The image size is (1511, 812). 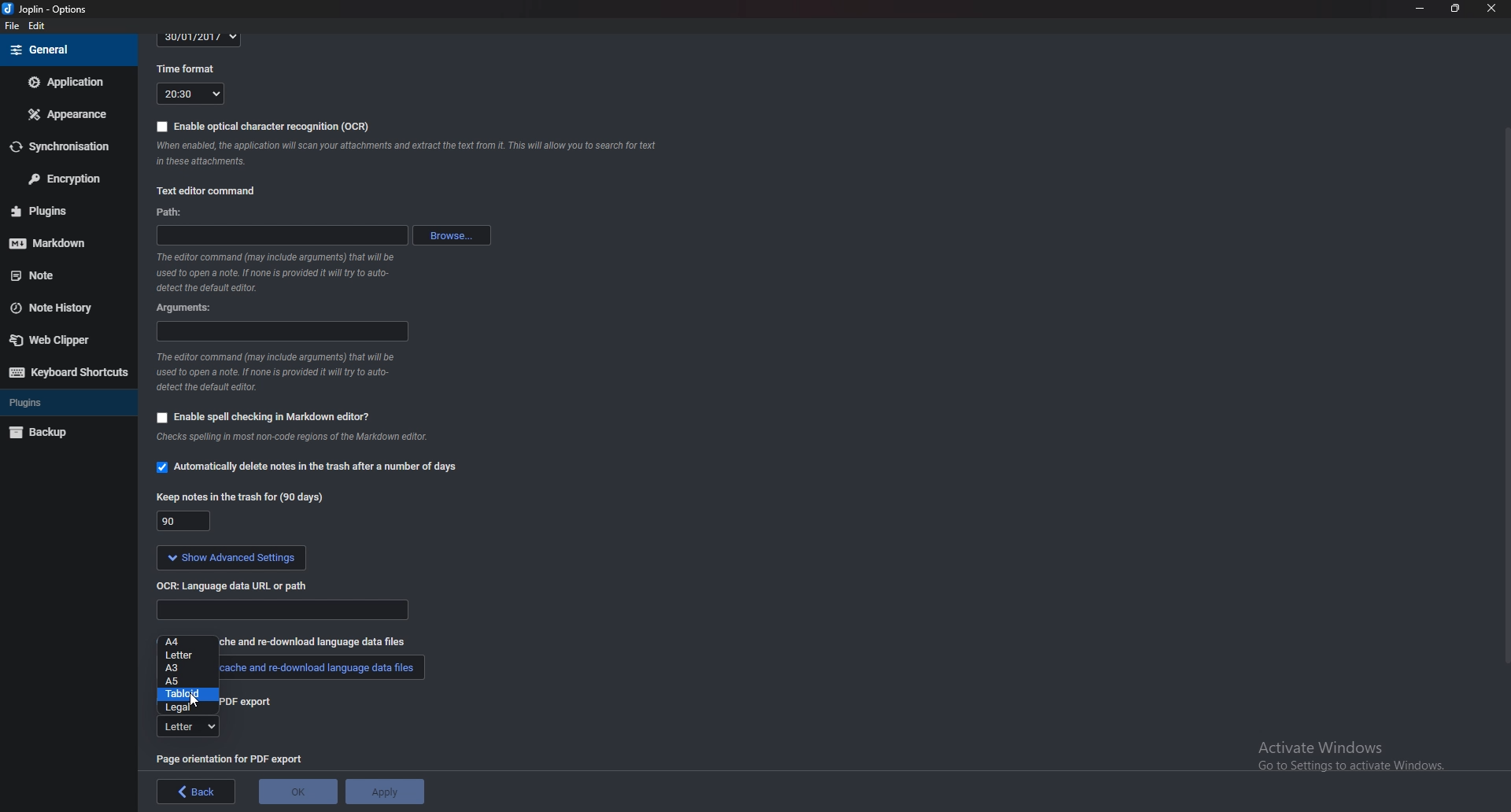 What do you see at coordinates (217, 188) in the screenshot?
I see `Text editor command` at bounding box center [217, 188].